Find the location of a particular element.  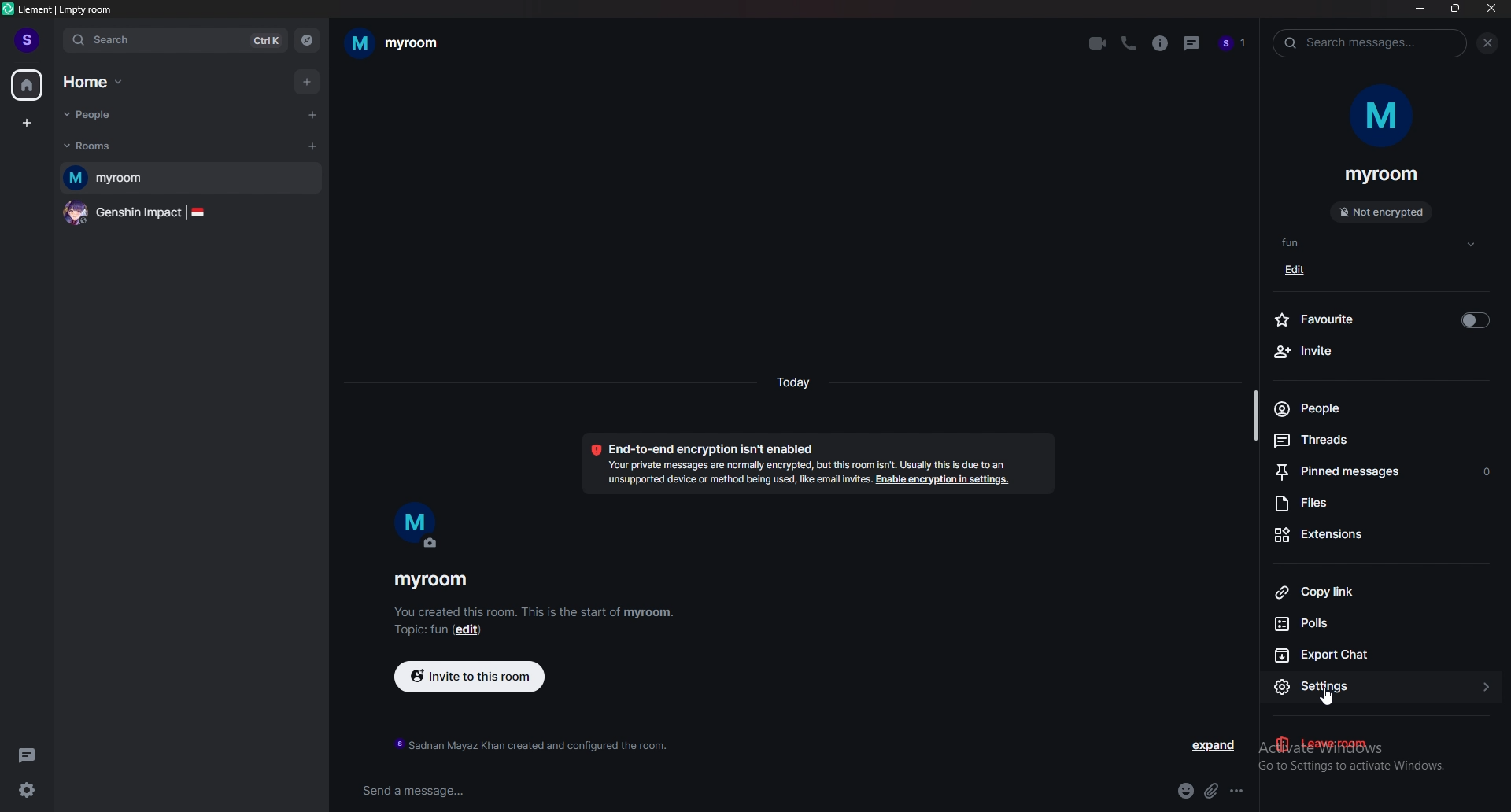

favourite is located at coordinates (1384, 319).